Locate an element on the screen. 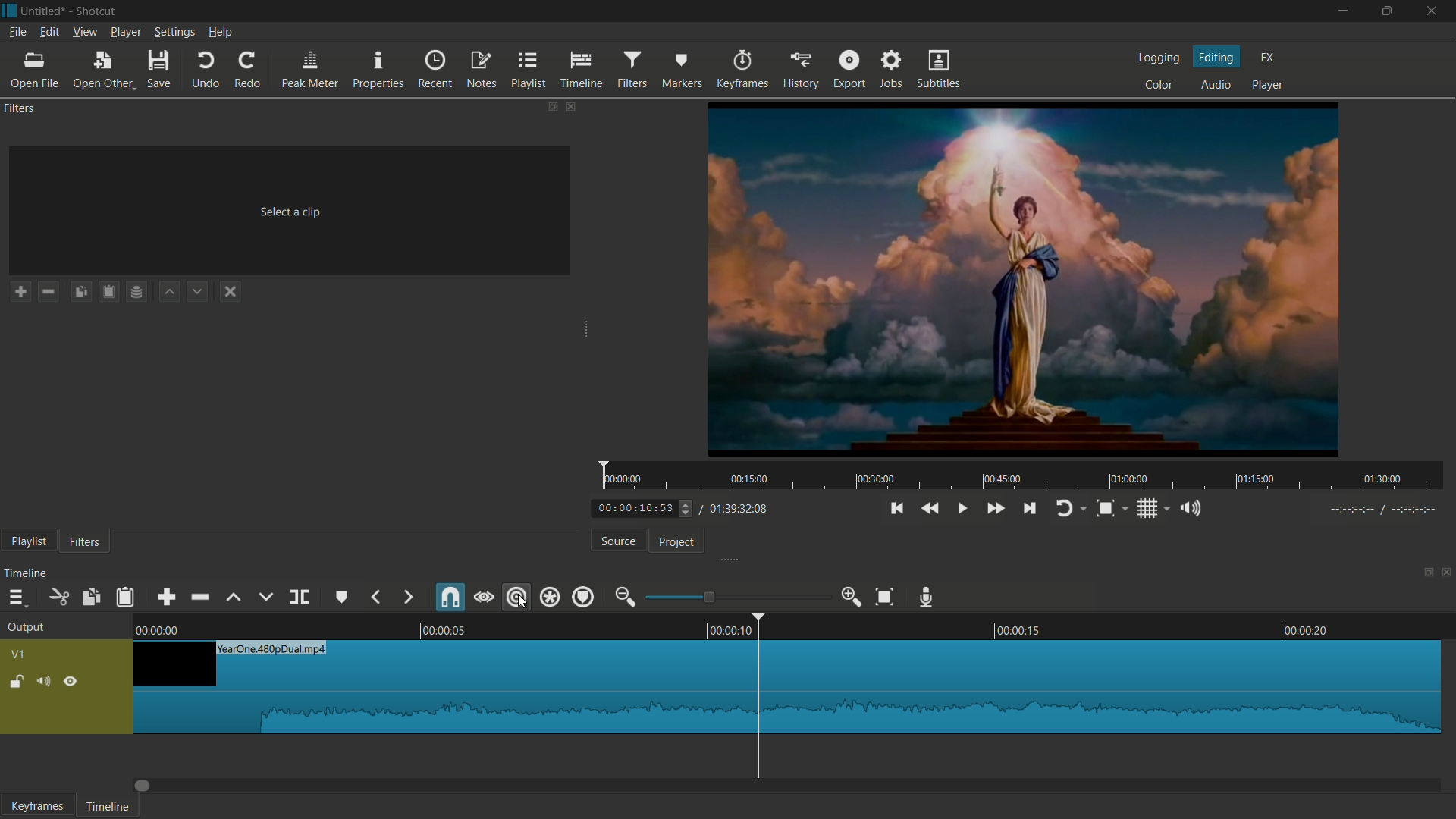 This screenshot has width=1456, height=819. quickly play backward is located at coordinates (931, 508).